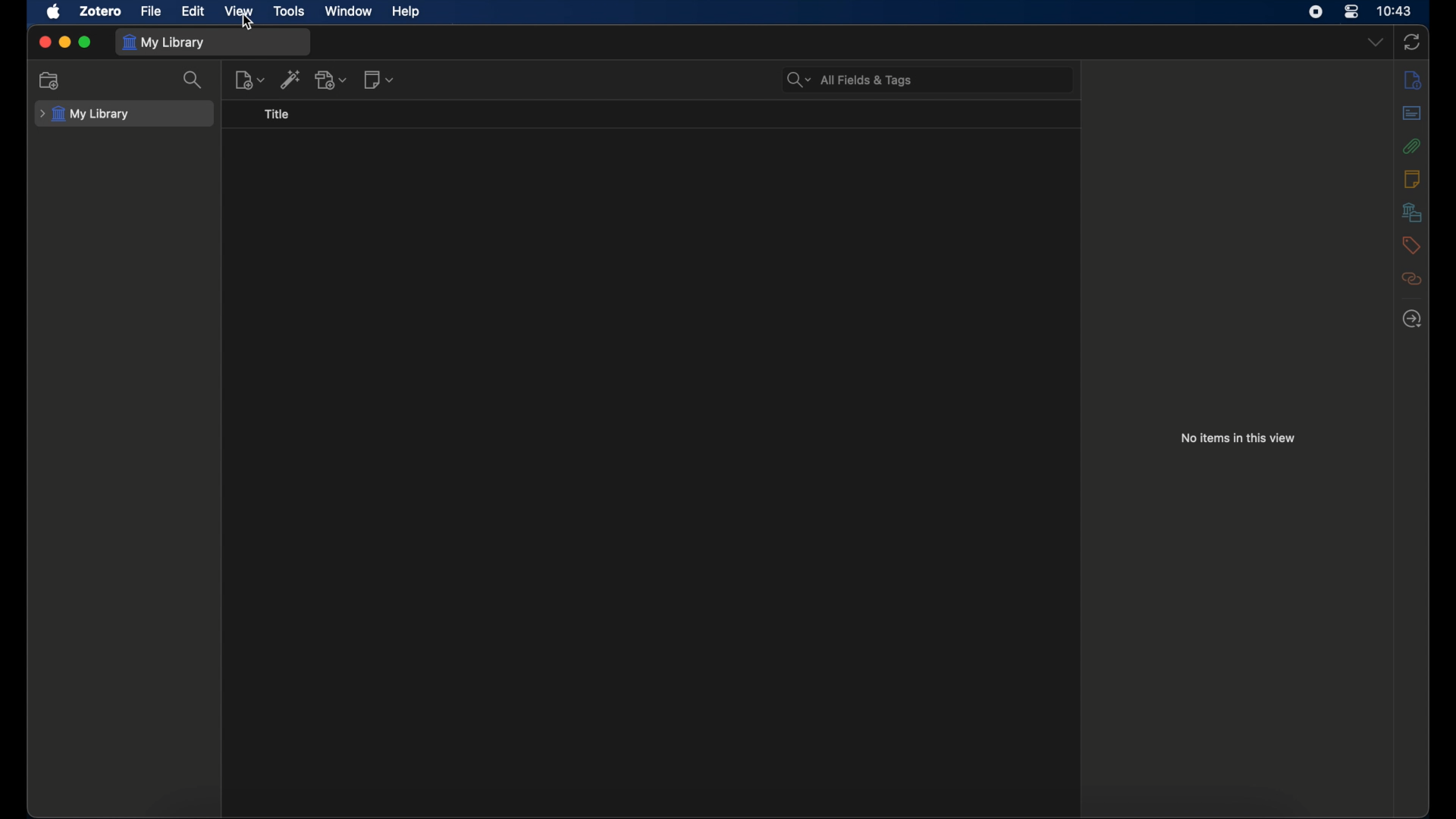  What do you see at coordinates (278, 115) in the screenshot?
I see `title` at bounding box center [278, 115].